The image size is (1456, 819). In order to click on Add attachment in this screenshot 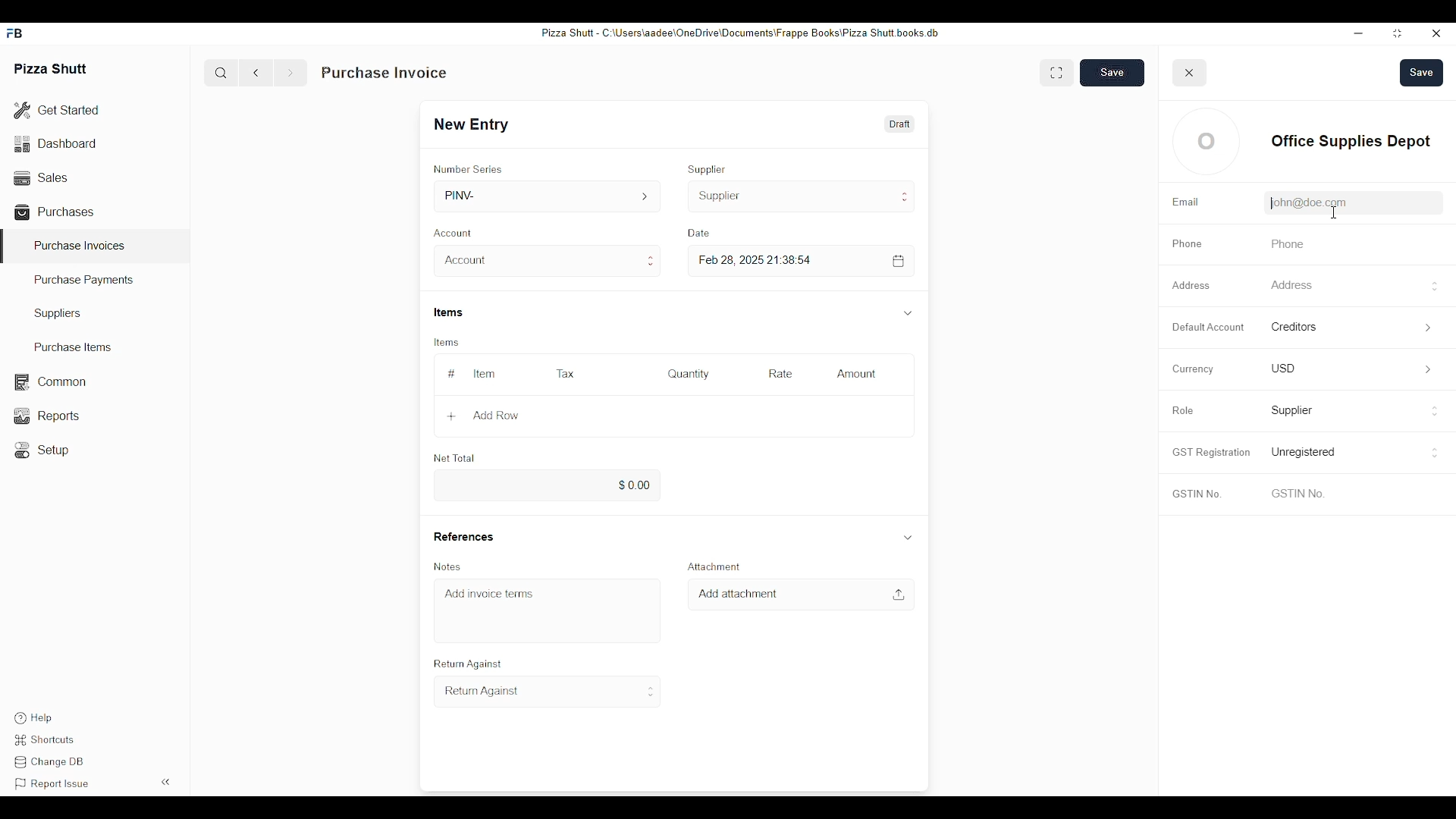, I will do `click(738, 594)`.